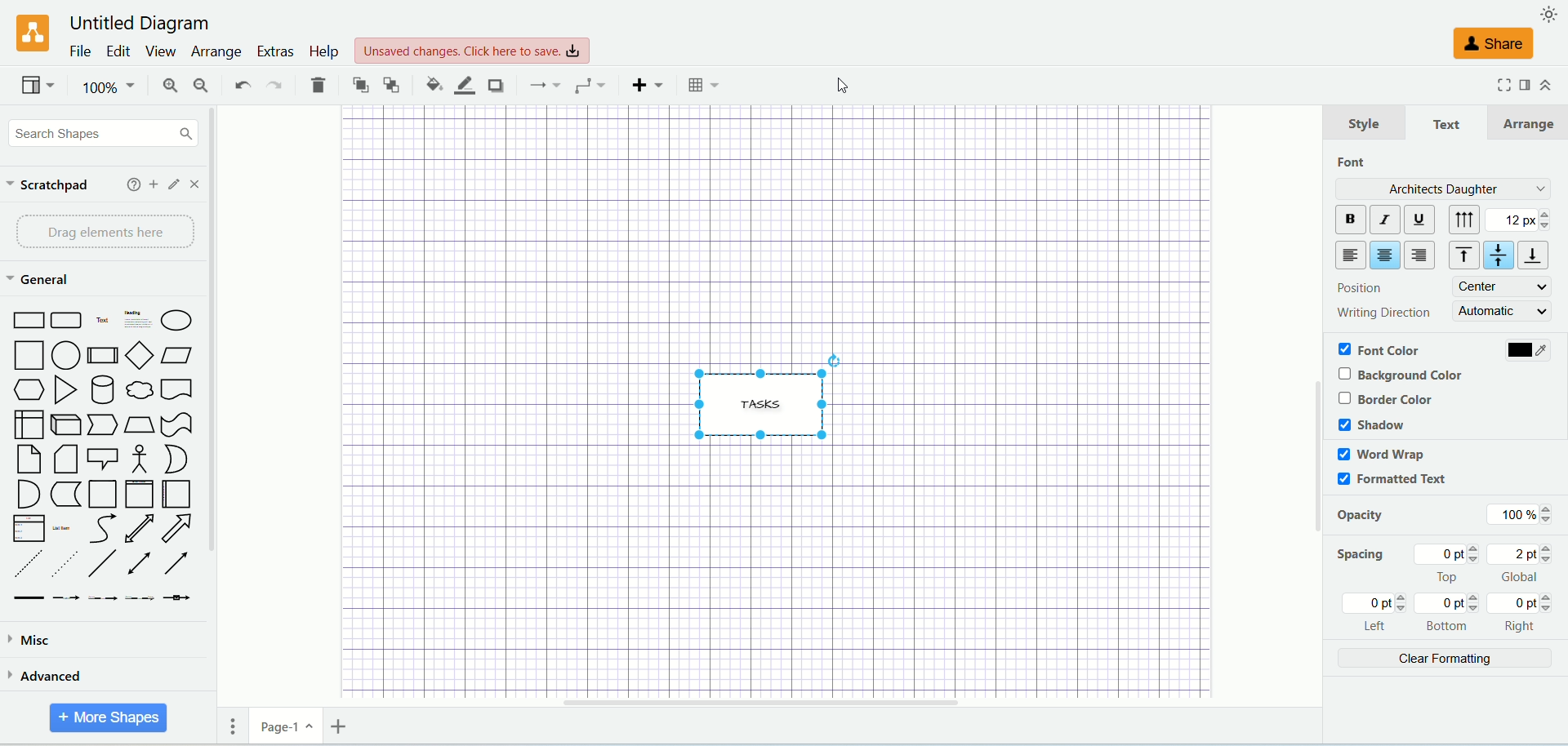 Image resolution: width=1568 pixels, height=746 pixels. What do you see at coordinates (139, 528) in the screenshot?
I see `Bidirectional Arrow` at bounding box center [139, 528].